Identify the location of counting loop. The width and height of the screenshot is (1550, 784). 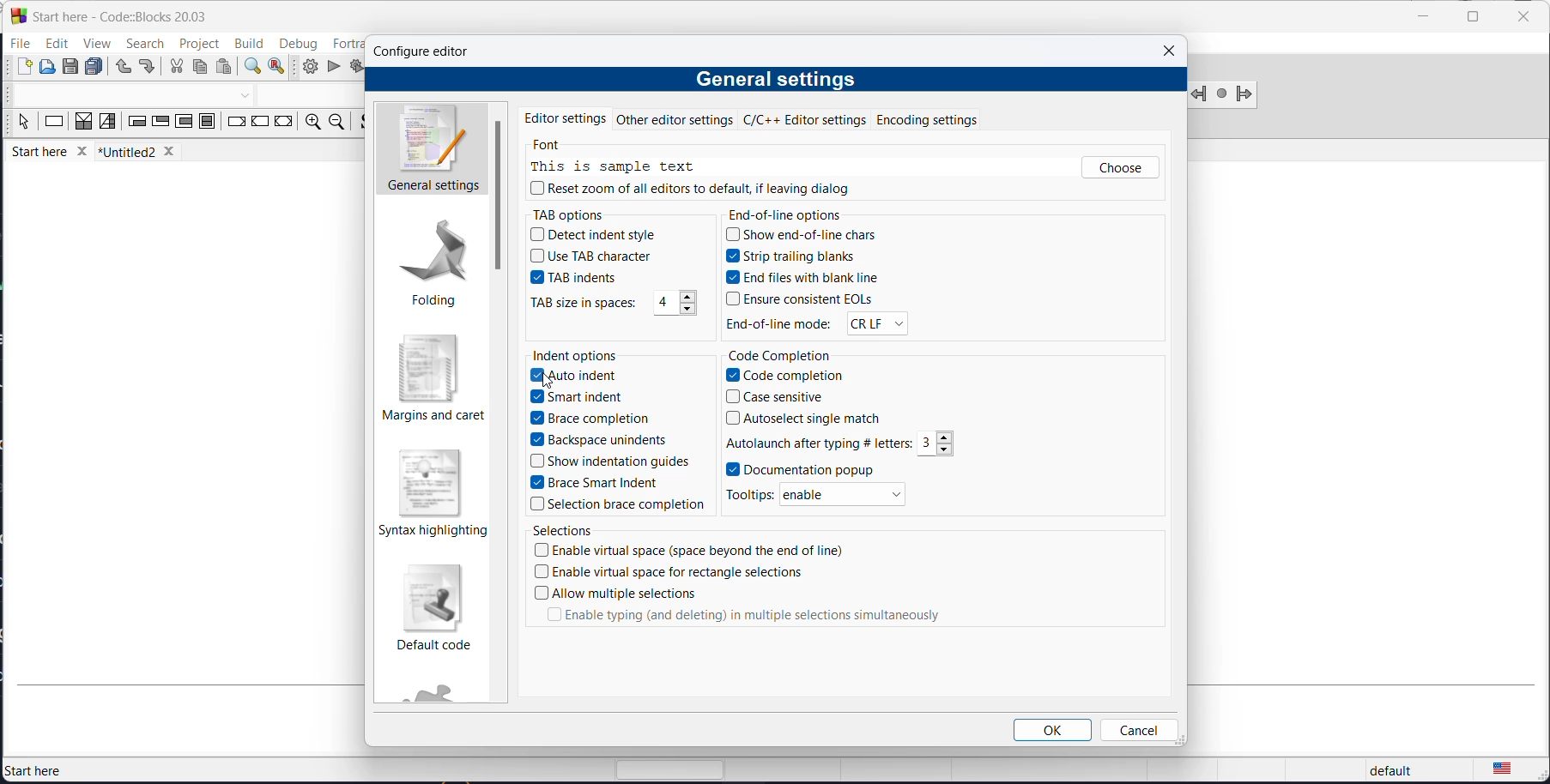
(183, 124).